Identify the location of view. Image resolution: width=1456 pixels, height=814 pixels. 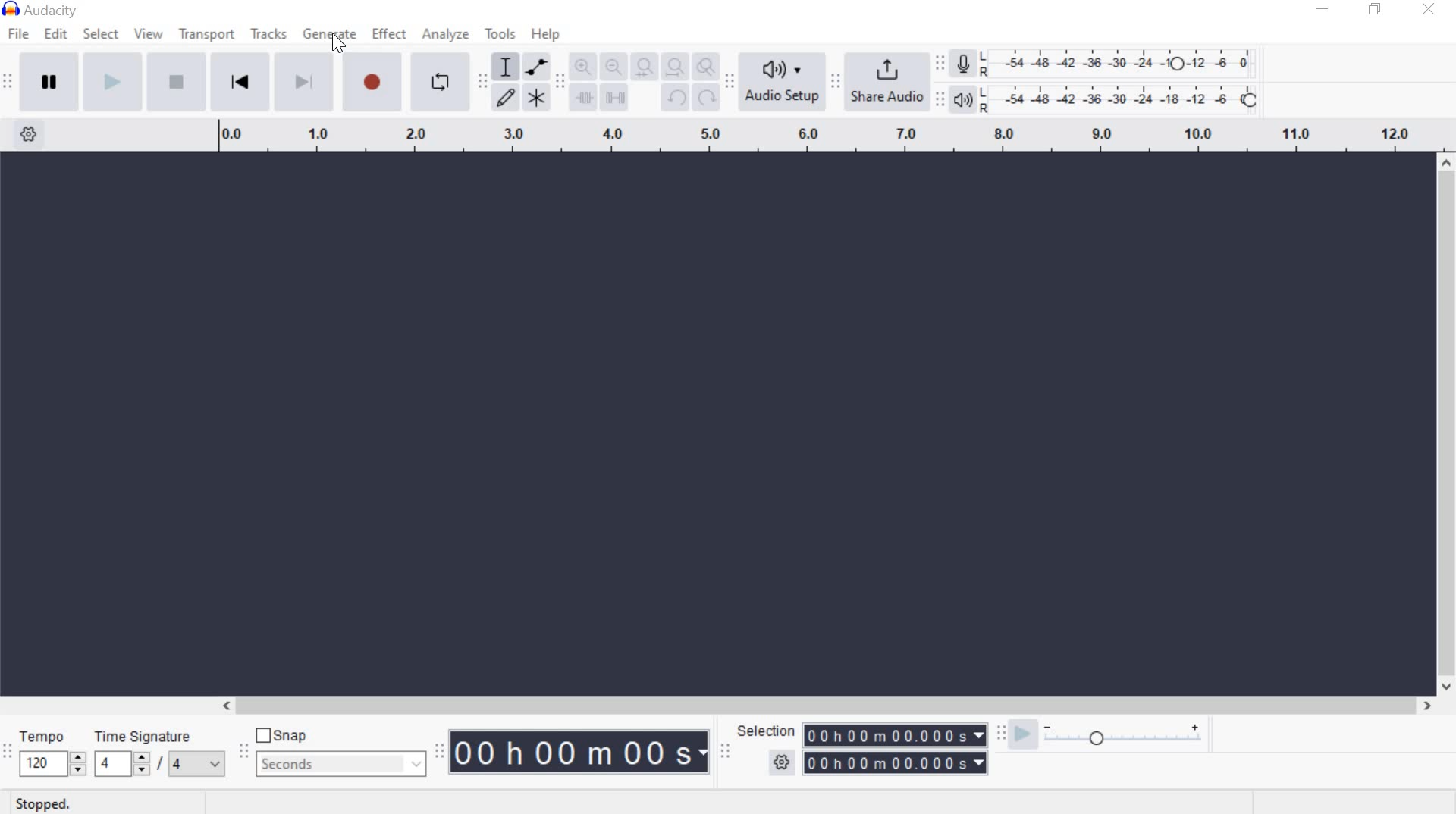
(147, 35).